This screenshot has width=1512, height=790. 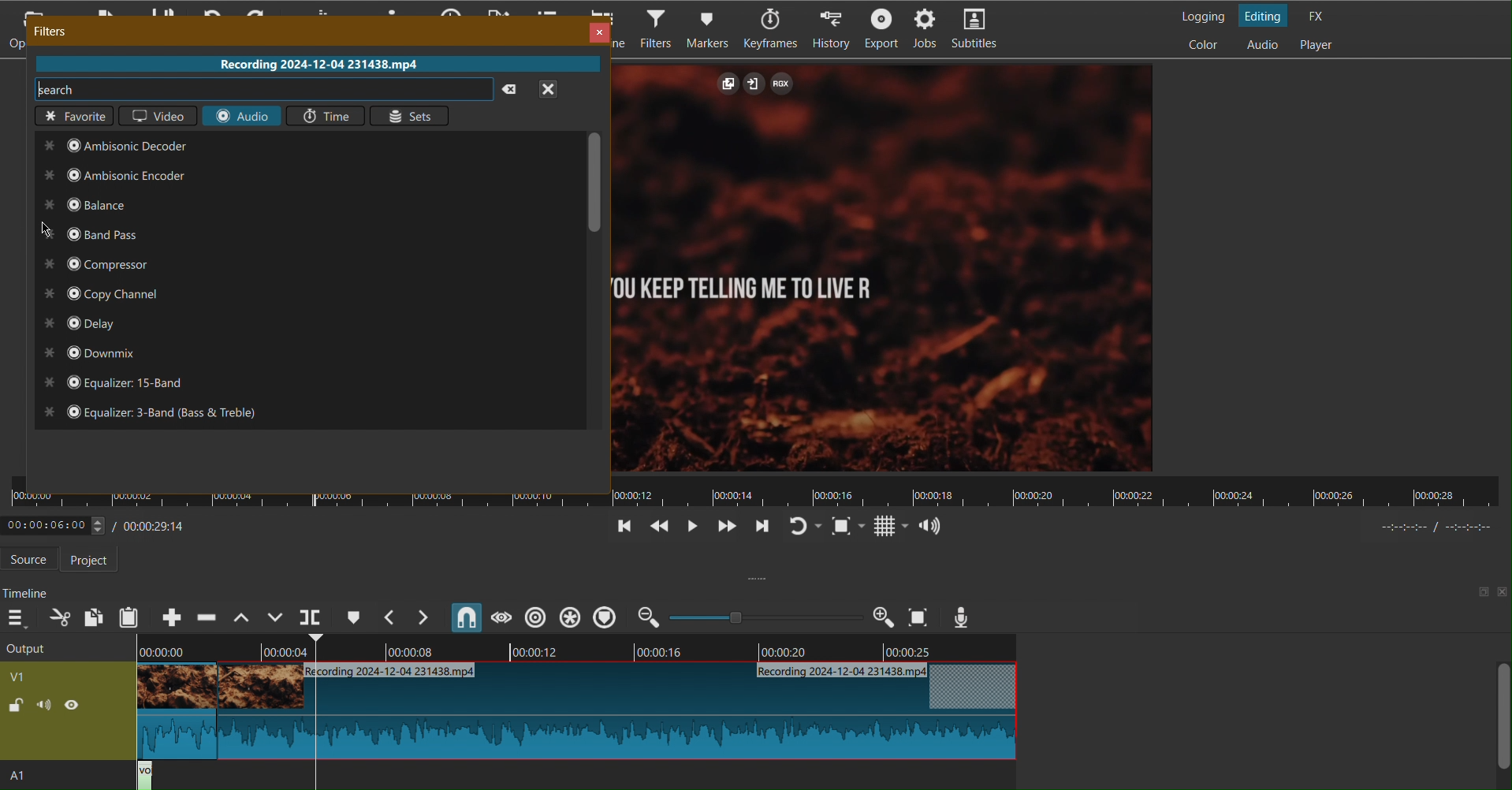 What do you see at coordinates (981, 30) in the screenshot?
I see `Subtitles` at bounding box center [981, 30].